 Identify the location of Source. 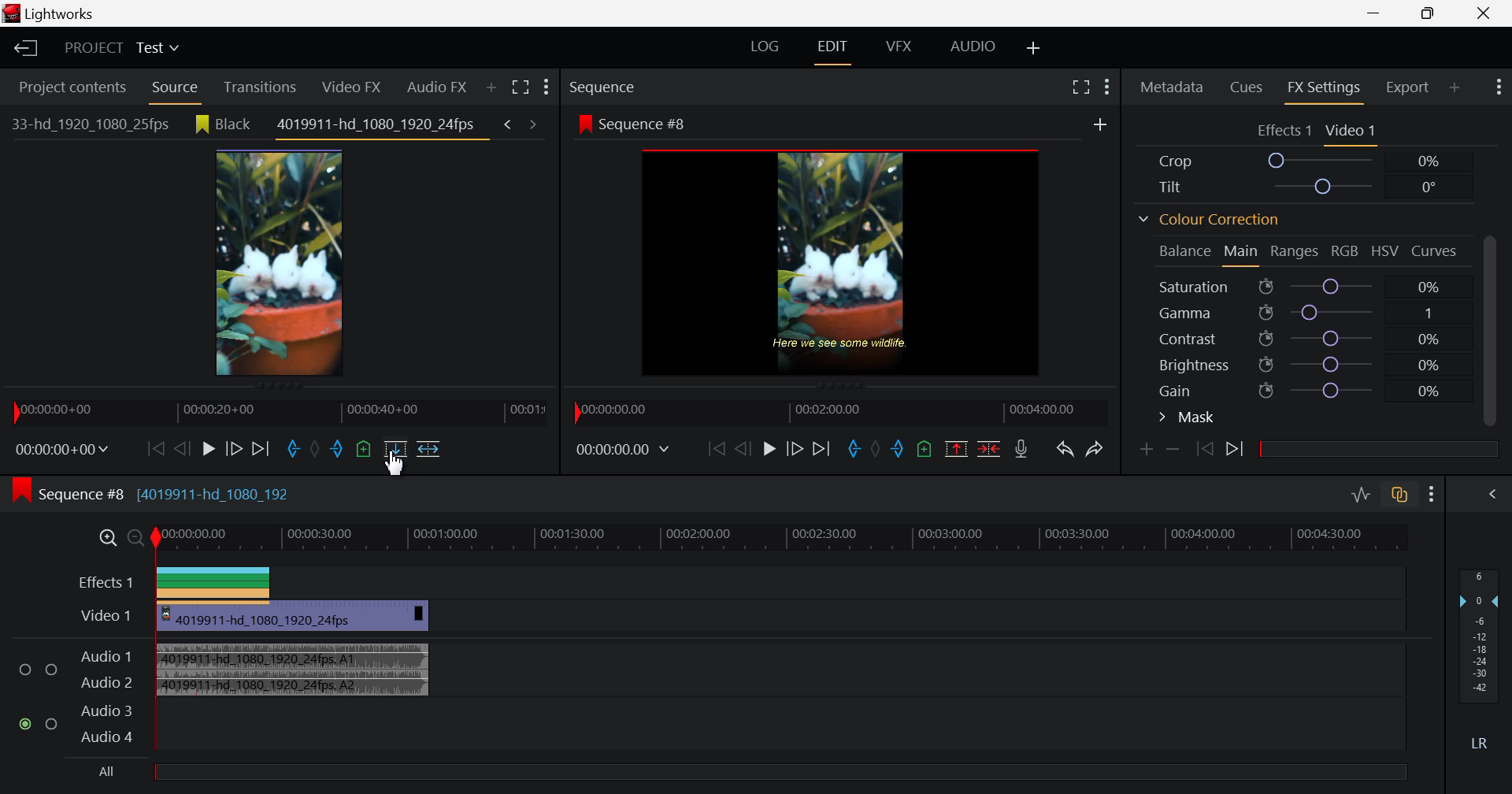
(174, 88).